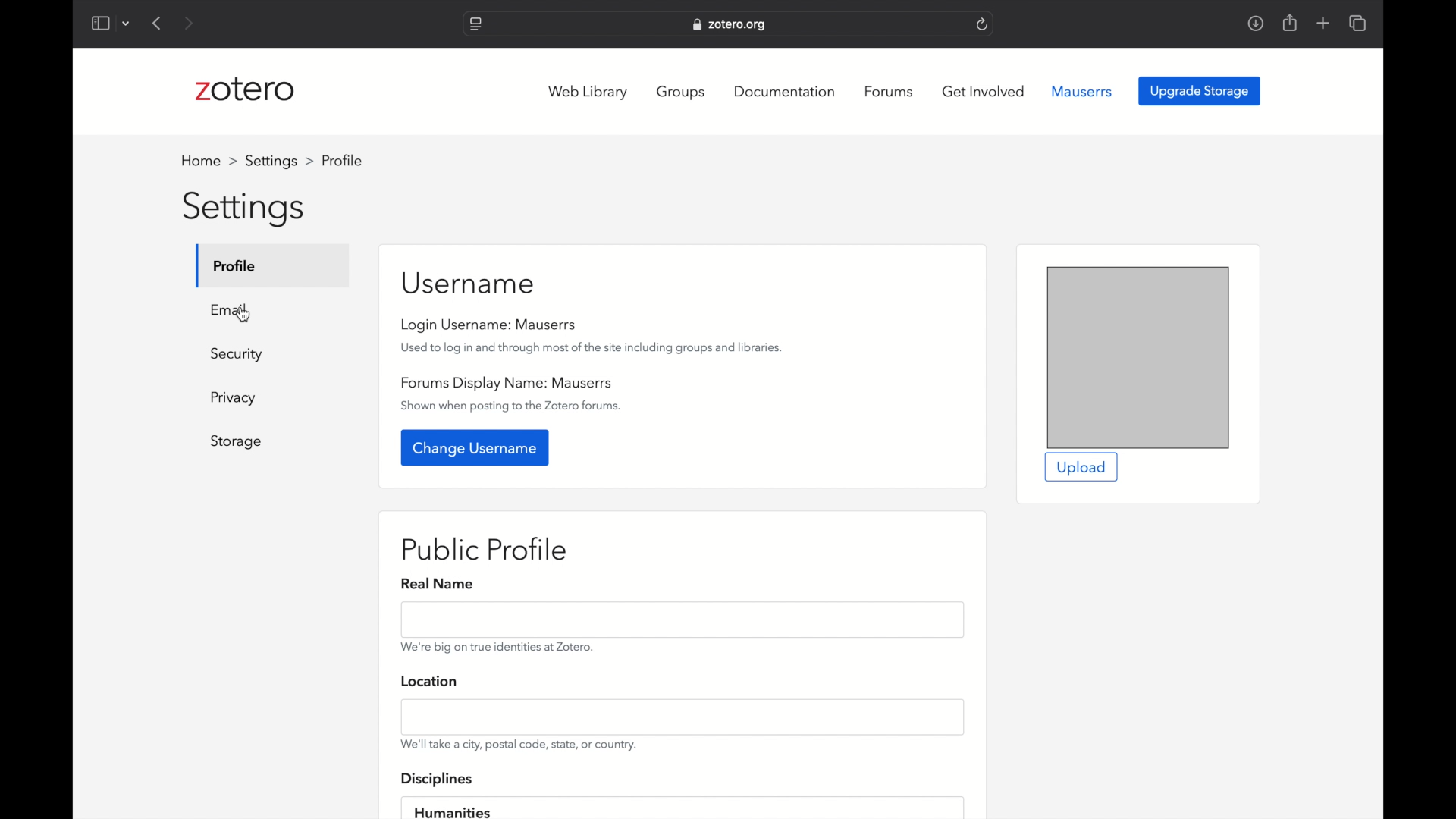 This screenshot has width=1456, height=819. I want to click on new tab, so click(1323, 24).